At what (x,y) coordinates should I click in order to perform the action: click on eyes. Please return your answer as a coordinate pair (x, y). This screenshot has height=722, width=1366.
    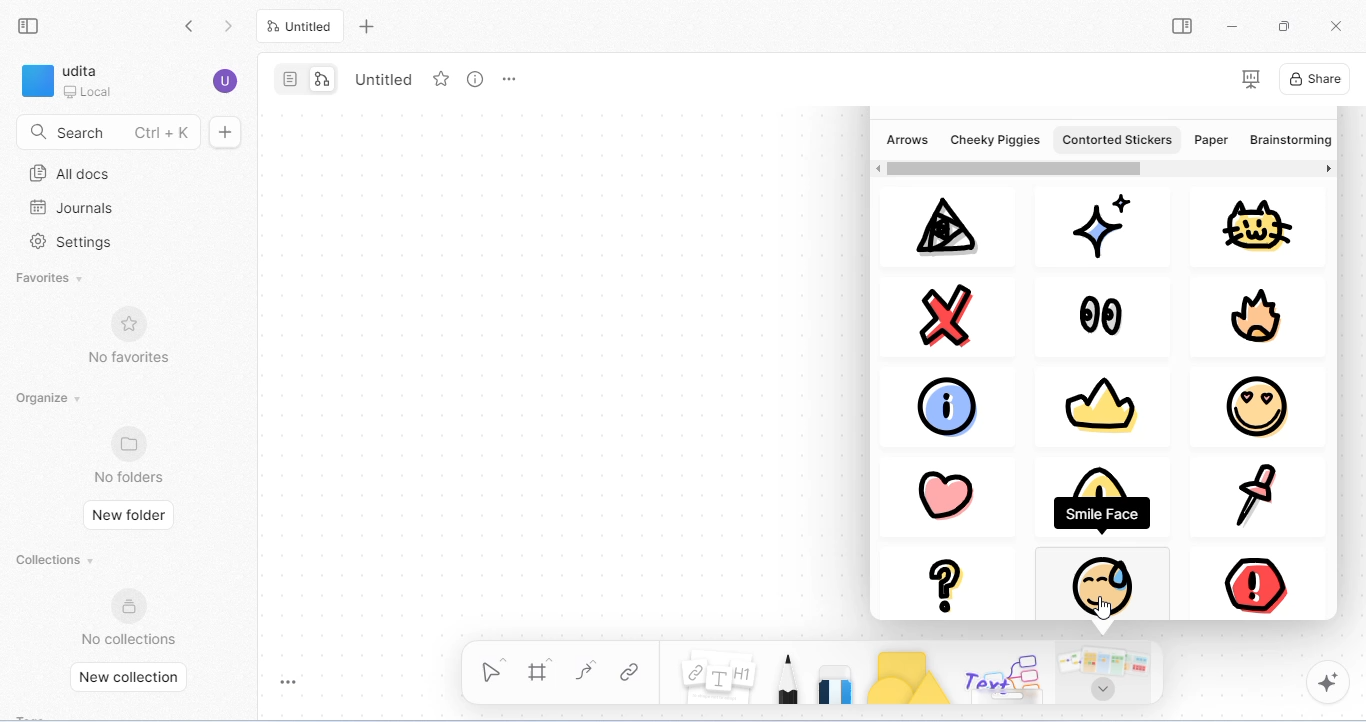
    Looking at the image, I should click on (1101, 314).